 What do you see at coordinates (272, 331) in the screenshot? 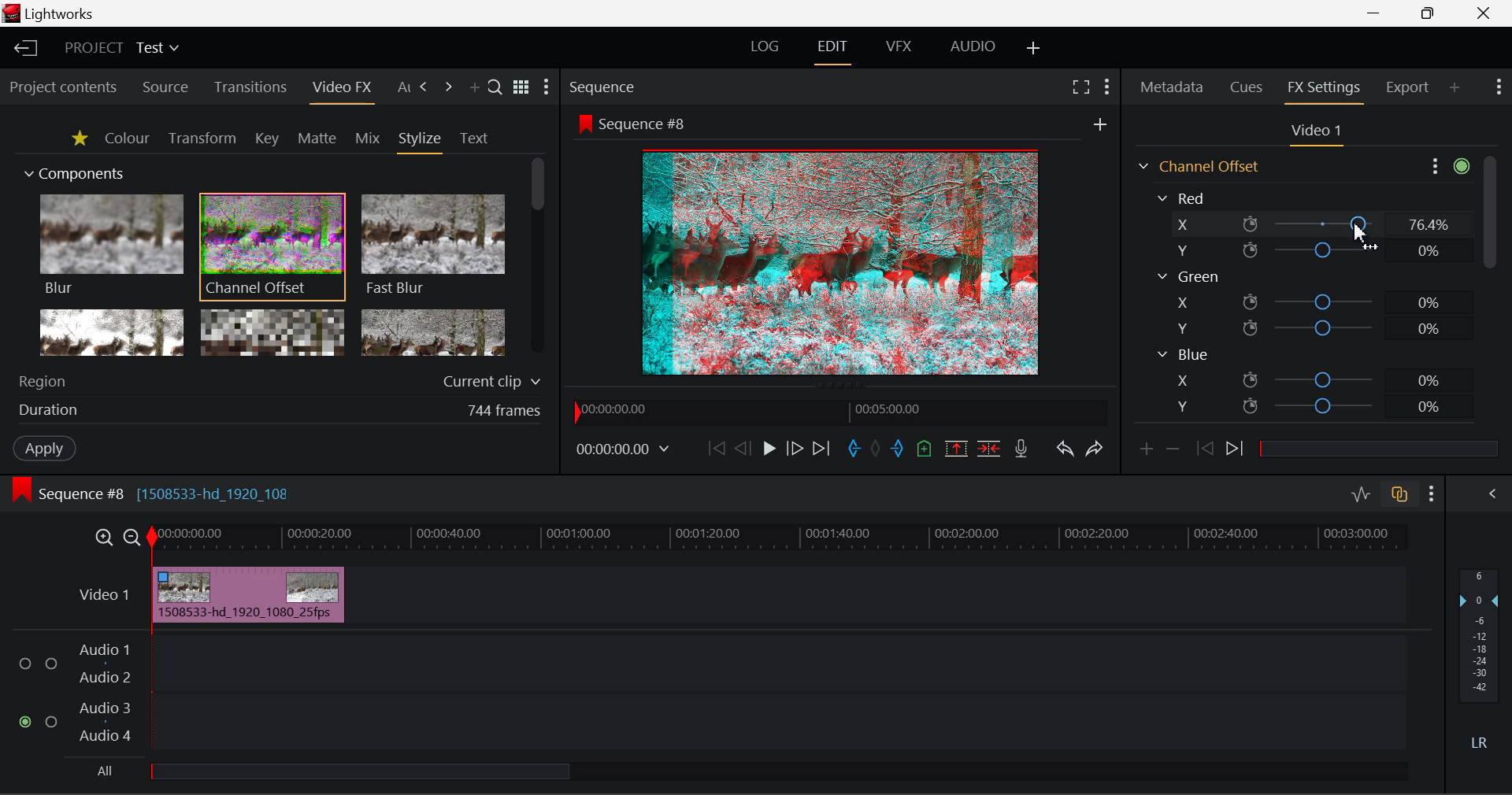
I see `Mosaic` at bounding box center [272, 331].